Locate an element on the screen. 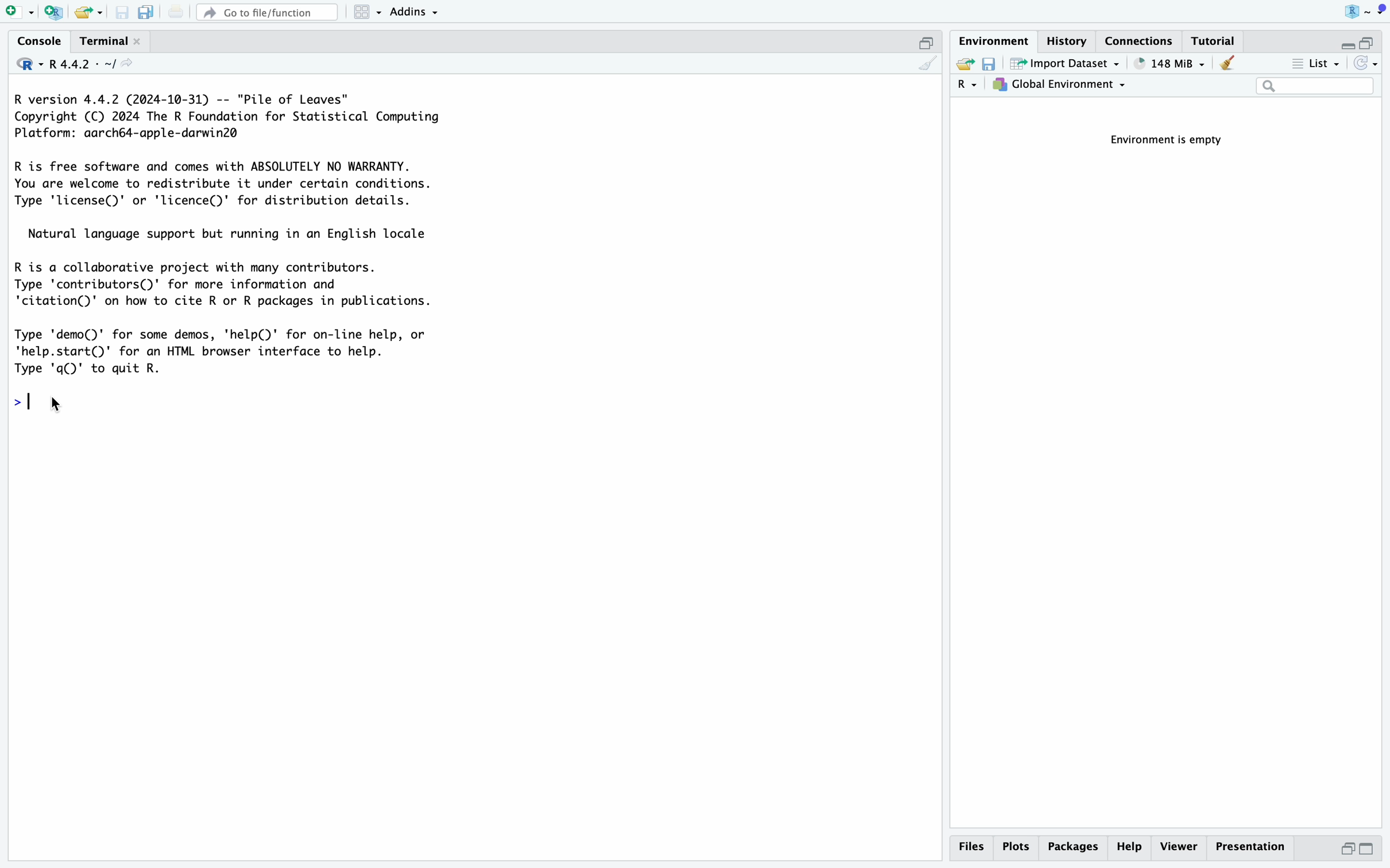  global environment is located at coordinates (1062, 87).